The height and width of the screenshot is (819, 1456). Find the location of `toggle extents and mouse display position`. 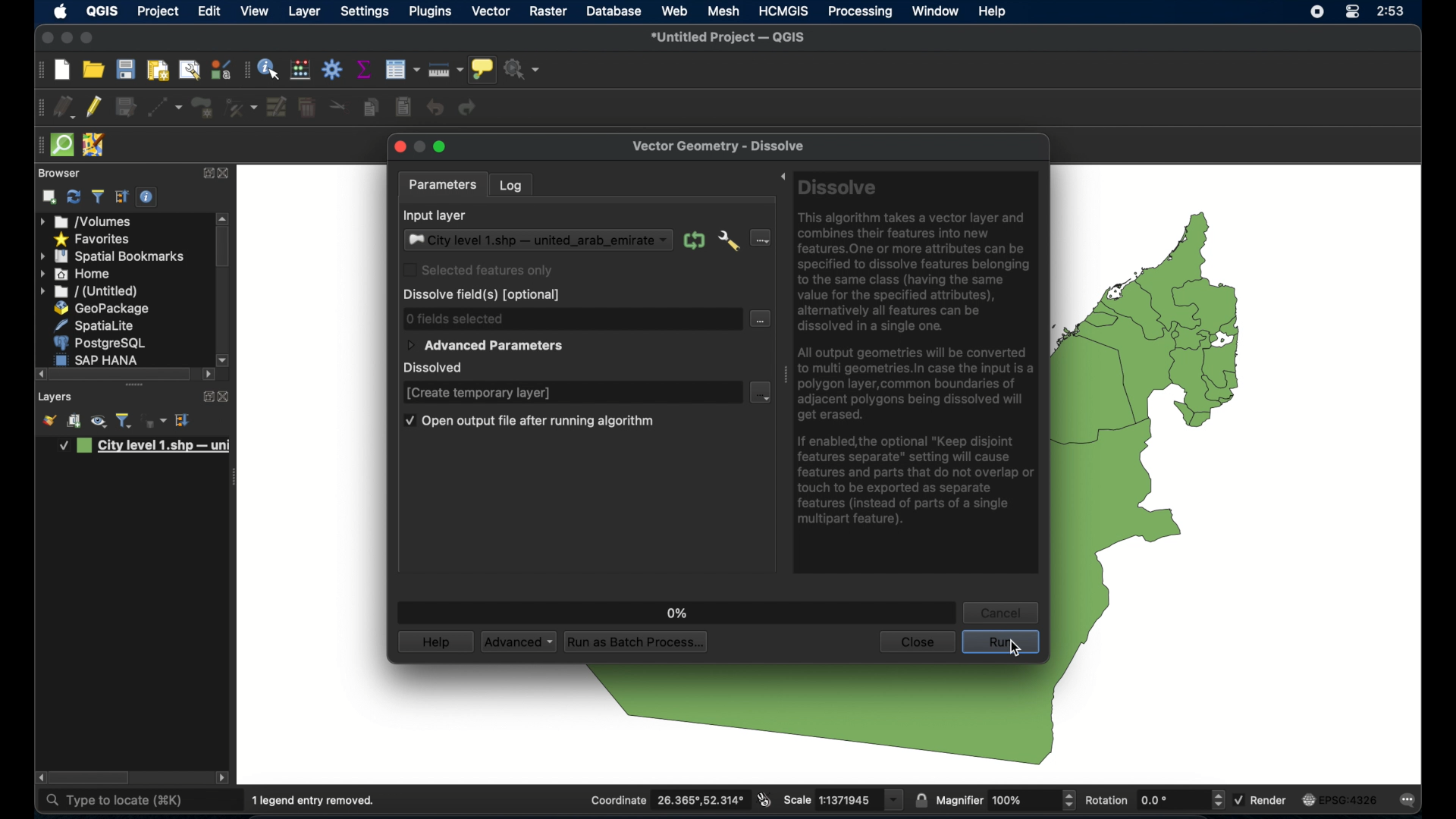

toggle extents and mouse display position is located at coordinates (764, 799).